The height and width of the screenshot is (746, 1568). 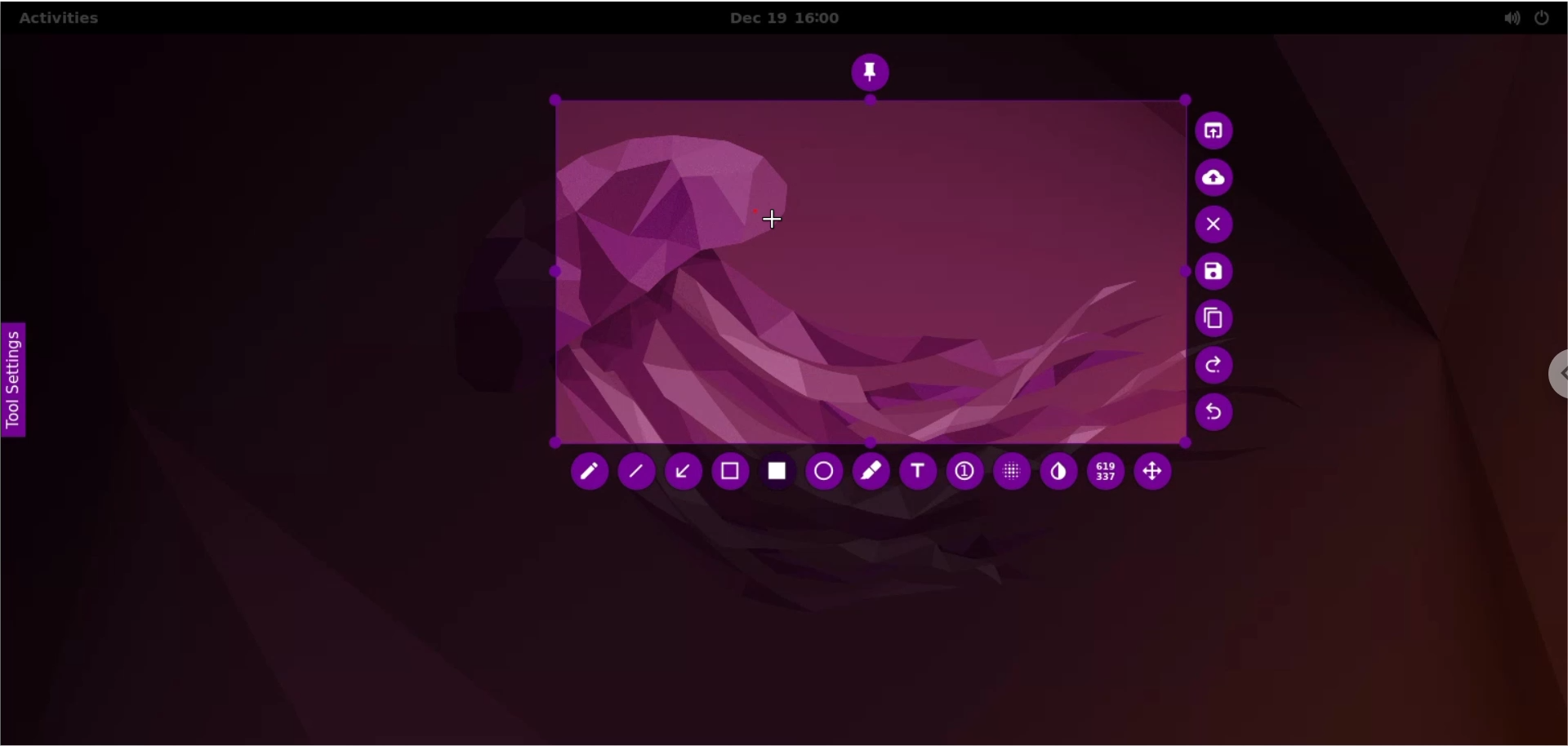 I want to click on rectangle tool, so click(x=777, y=473).